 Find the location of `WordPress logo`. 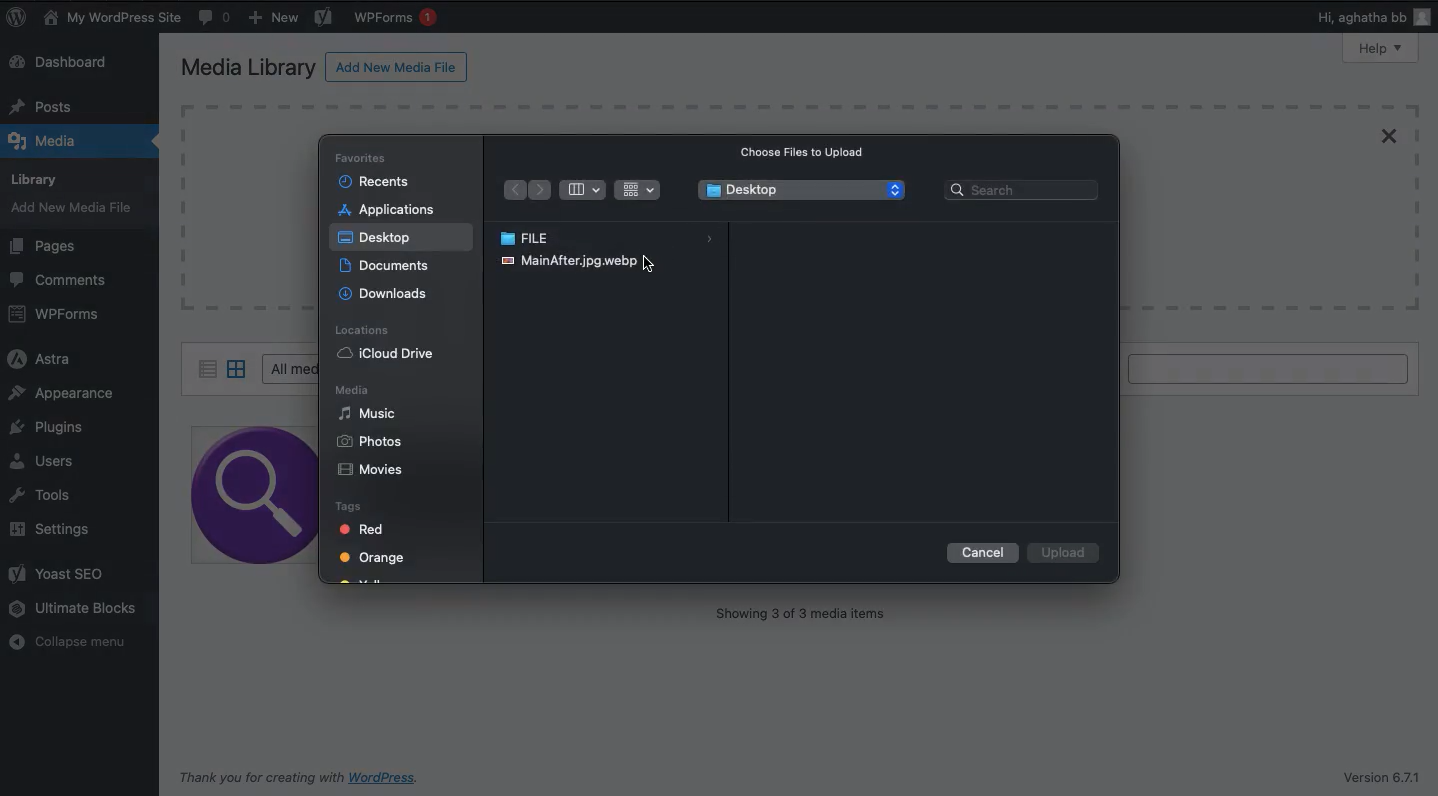

WordPress logo is located at coordinates (16, 17).